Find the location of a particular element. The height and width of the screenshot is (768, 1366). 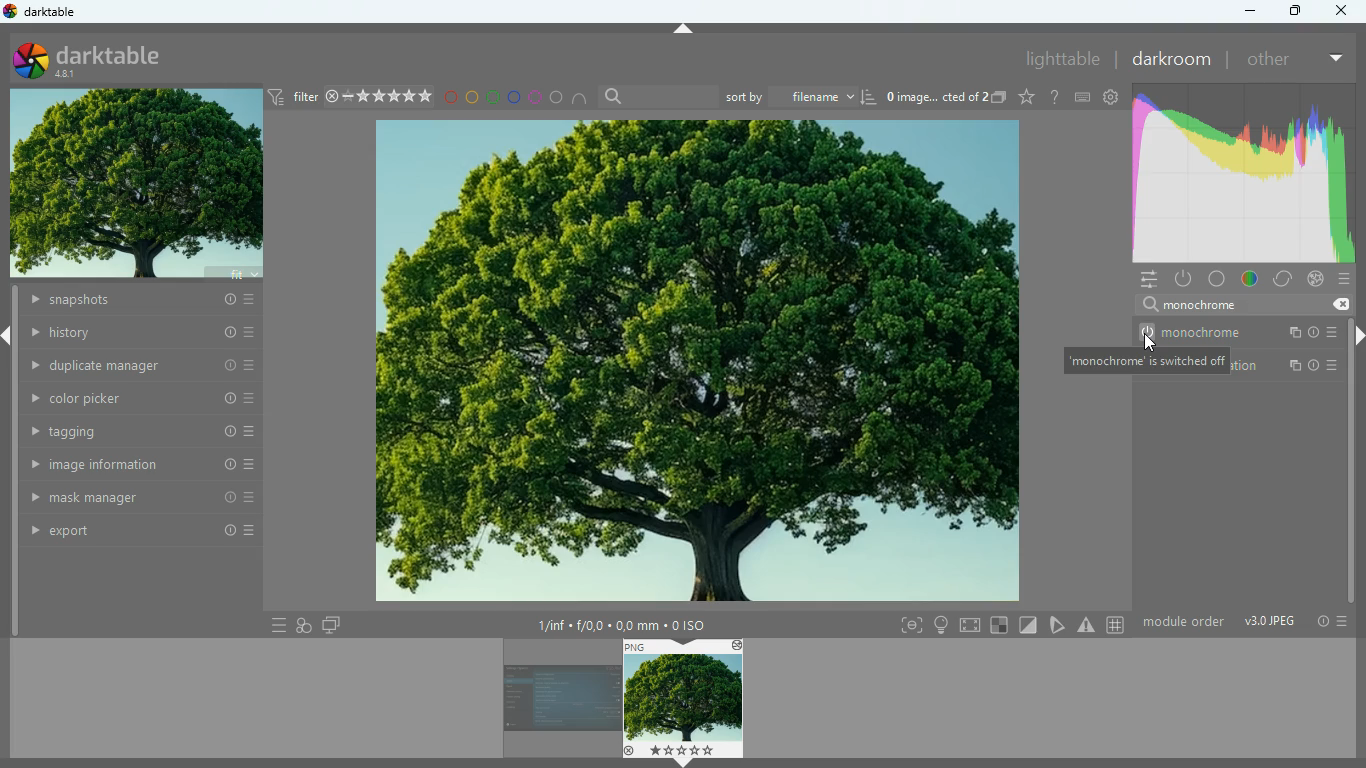

frame is located at coordinates (908, 626).